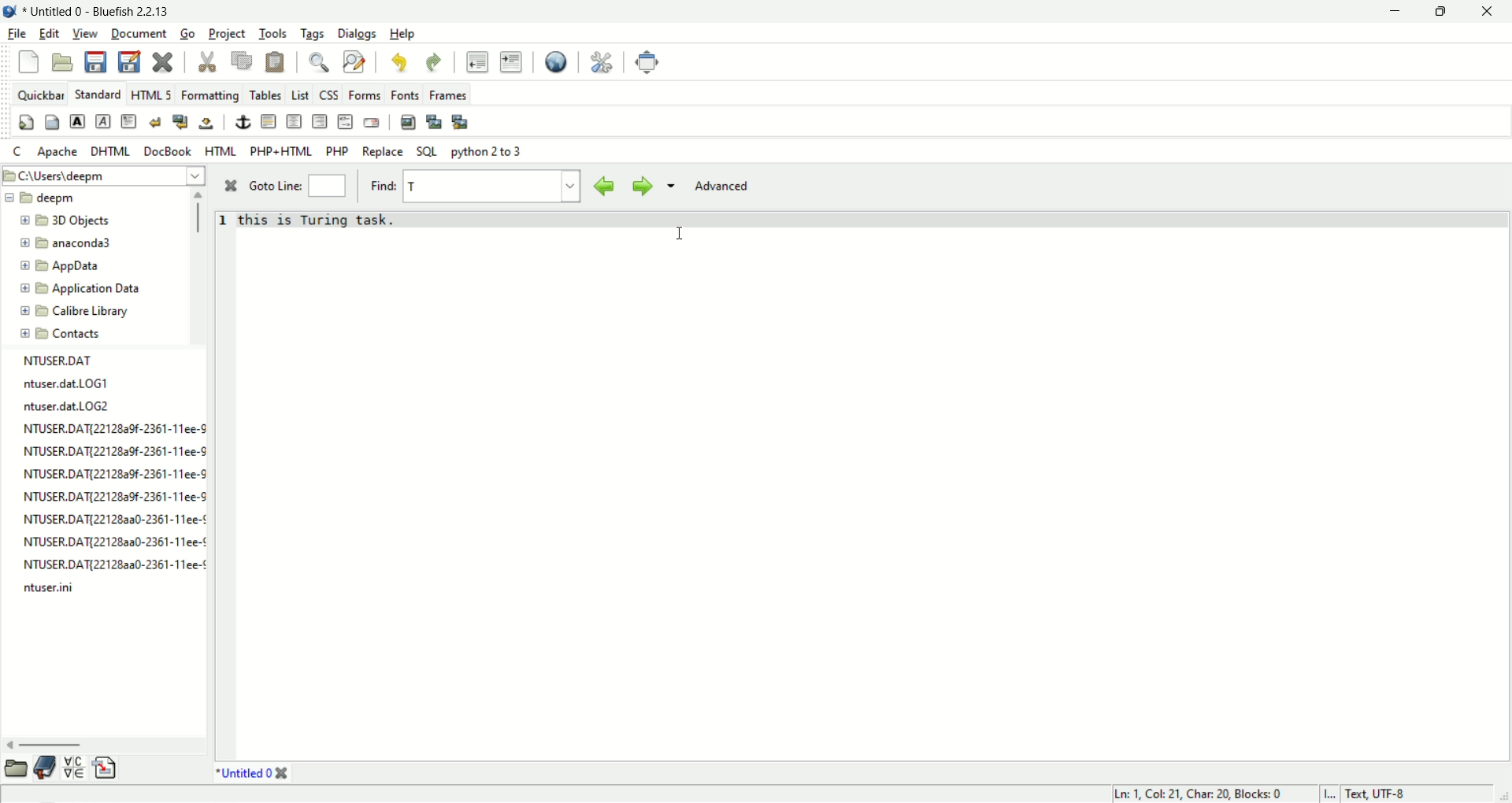 Image resolution: width=1512 pixels, height=803 pixels. What do you see at coordinates (78, 121) in the screenshot?
I see `strong` at bounding box center [78, 121].